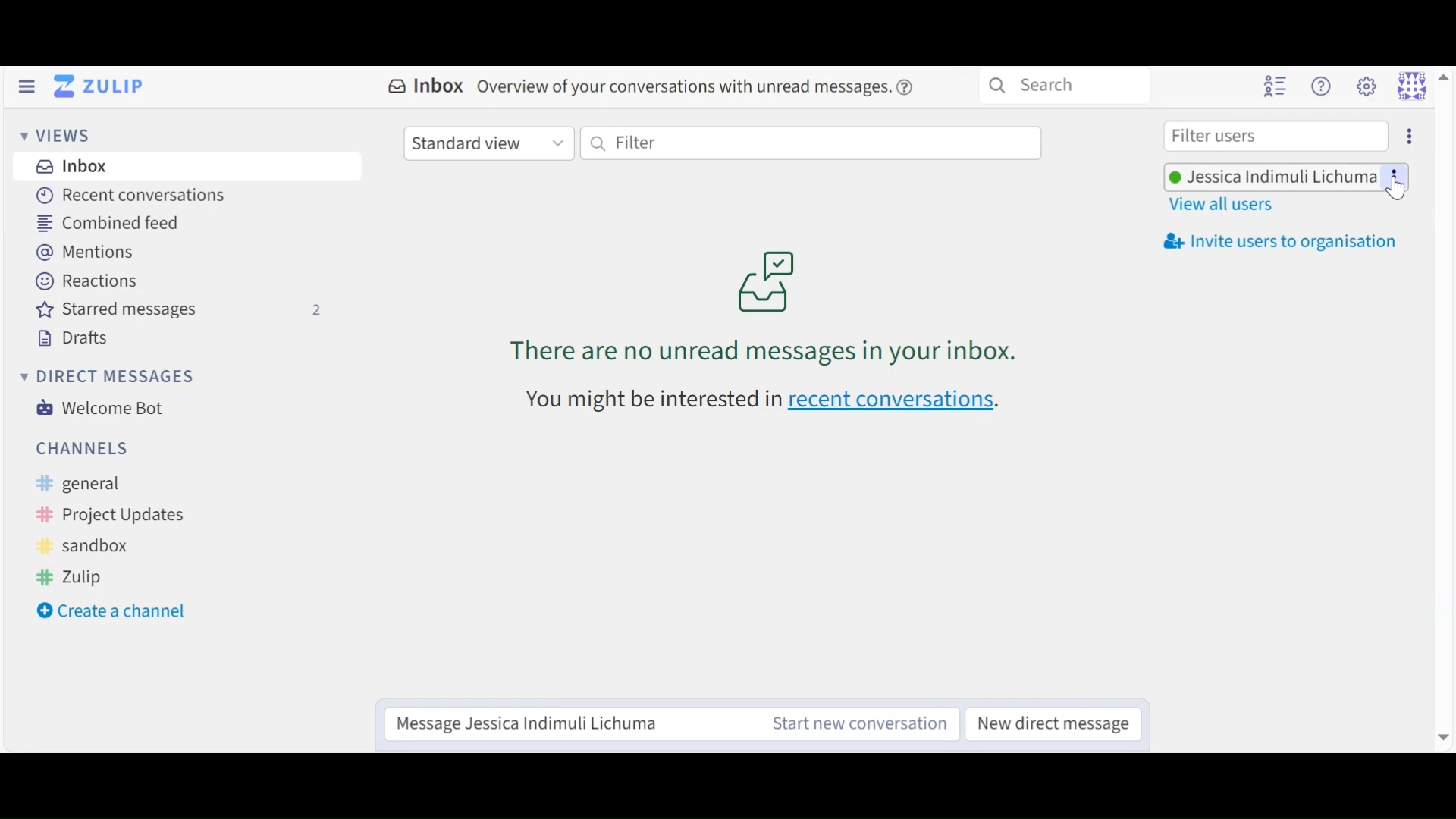 The image size is (1456, 819). What do you see at coordinates (112, 516) in the screenshot?
I see `project updates` at bounding box center [112, 516].